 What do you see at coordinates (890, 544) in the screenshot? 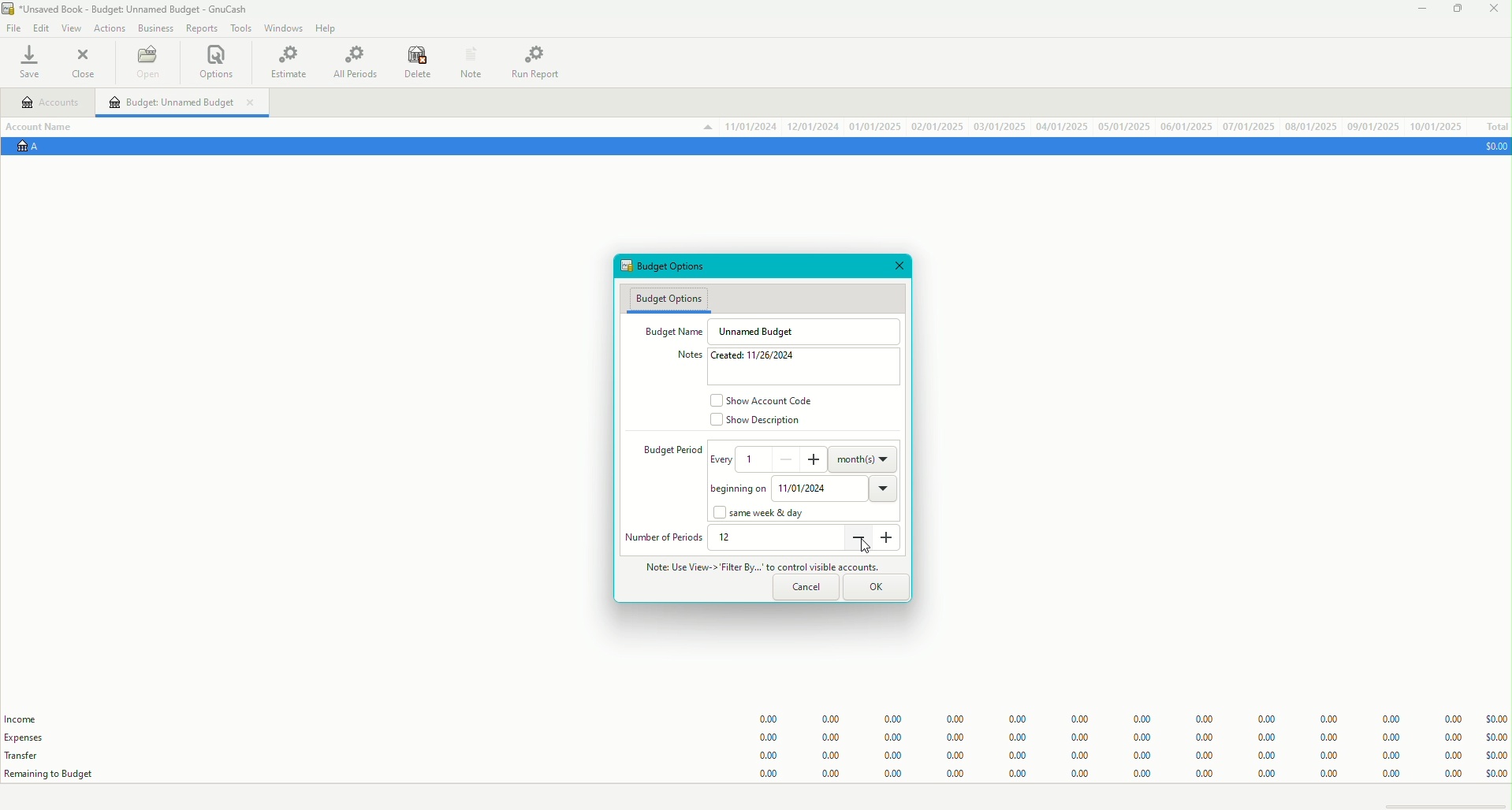
I see `increase` at bounding box center [890, 544].